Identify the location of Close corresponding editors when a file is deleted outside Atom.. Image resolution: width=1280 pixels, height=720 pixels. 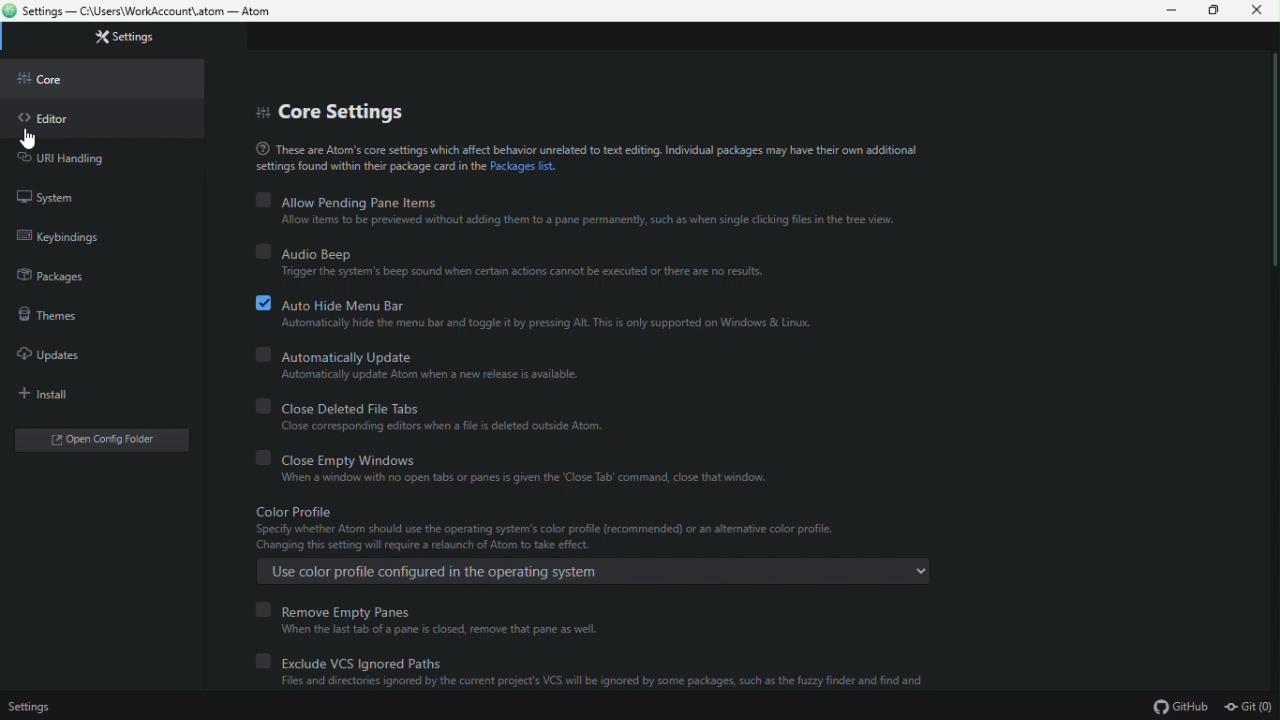
(455, 426).